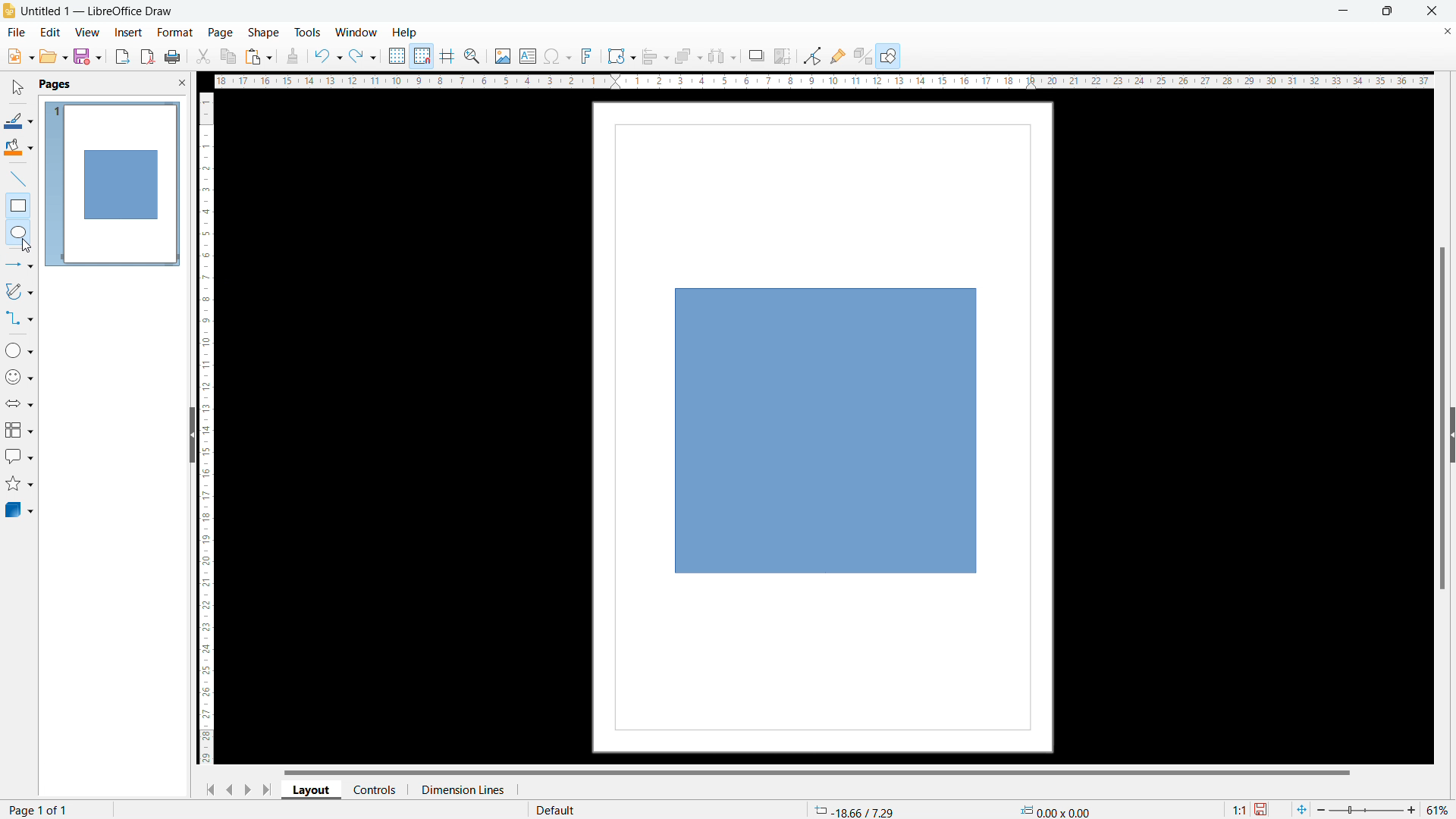  What do you see at coordinates (688, 57) in the screenshot?
I see `arrange` at bounding box center [688, 57].